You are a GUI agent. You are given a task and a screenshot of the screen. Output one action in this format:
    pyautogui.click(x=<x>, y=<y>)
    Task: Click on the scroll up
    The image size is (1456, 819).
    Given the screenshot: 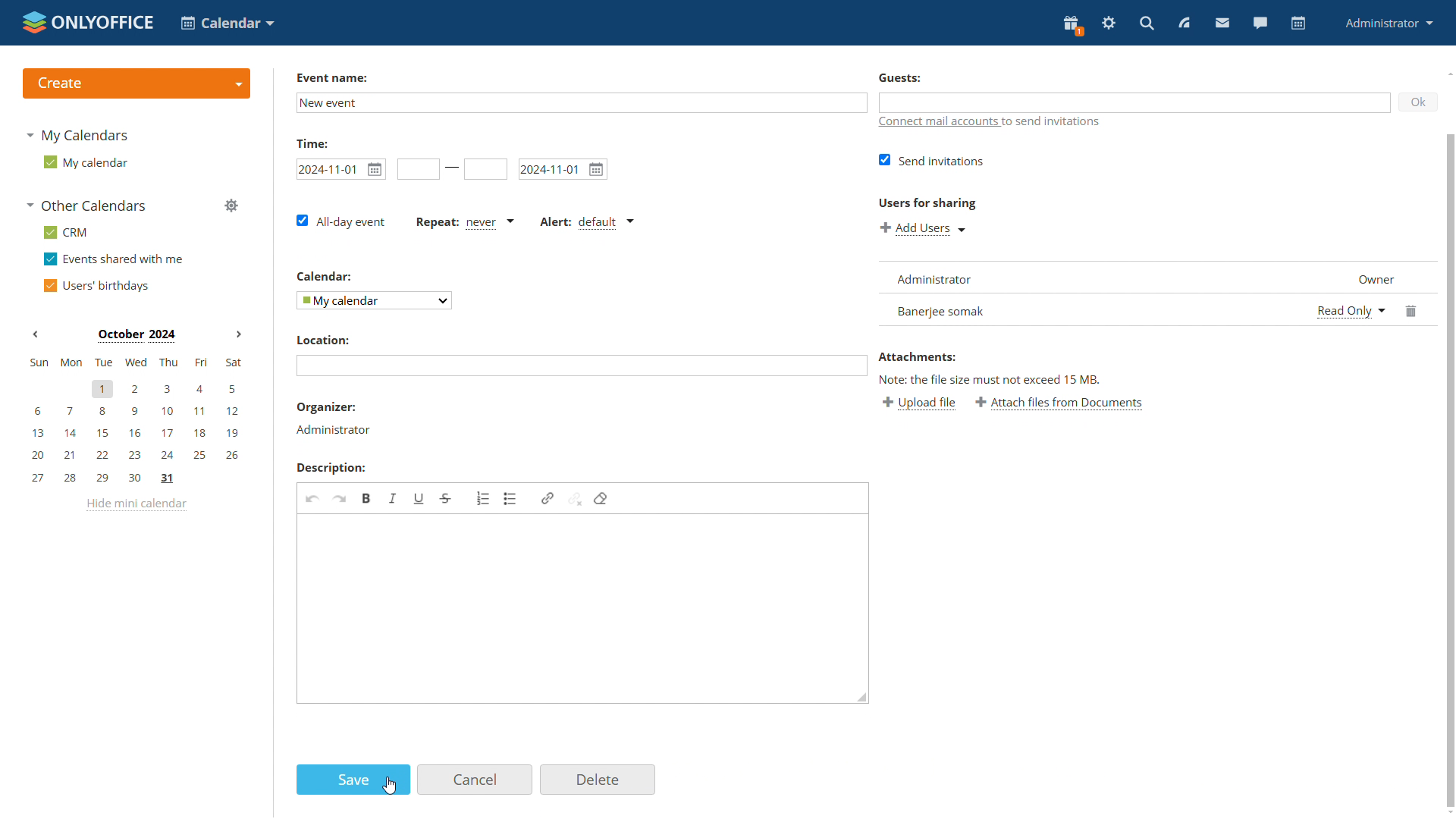 What is the action you would take?
    pyautogui.click(x=1449, y=73)
    